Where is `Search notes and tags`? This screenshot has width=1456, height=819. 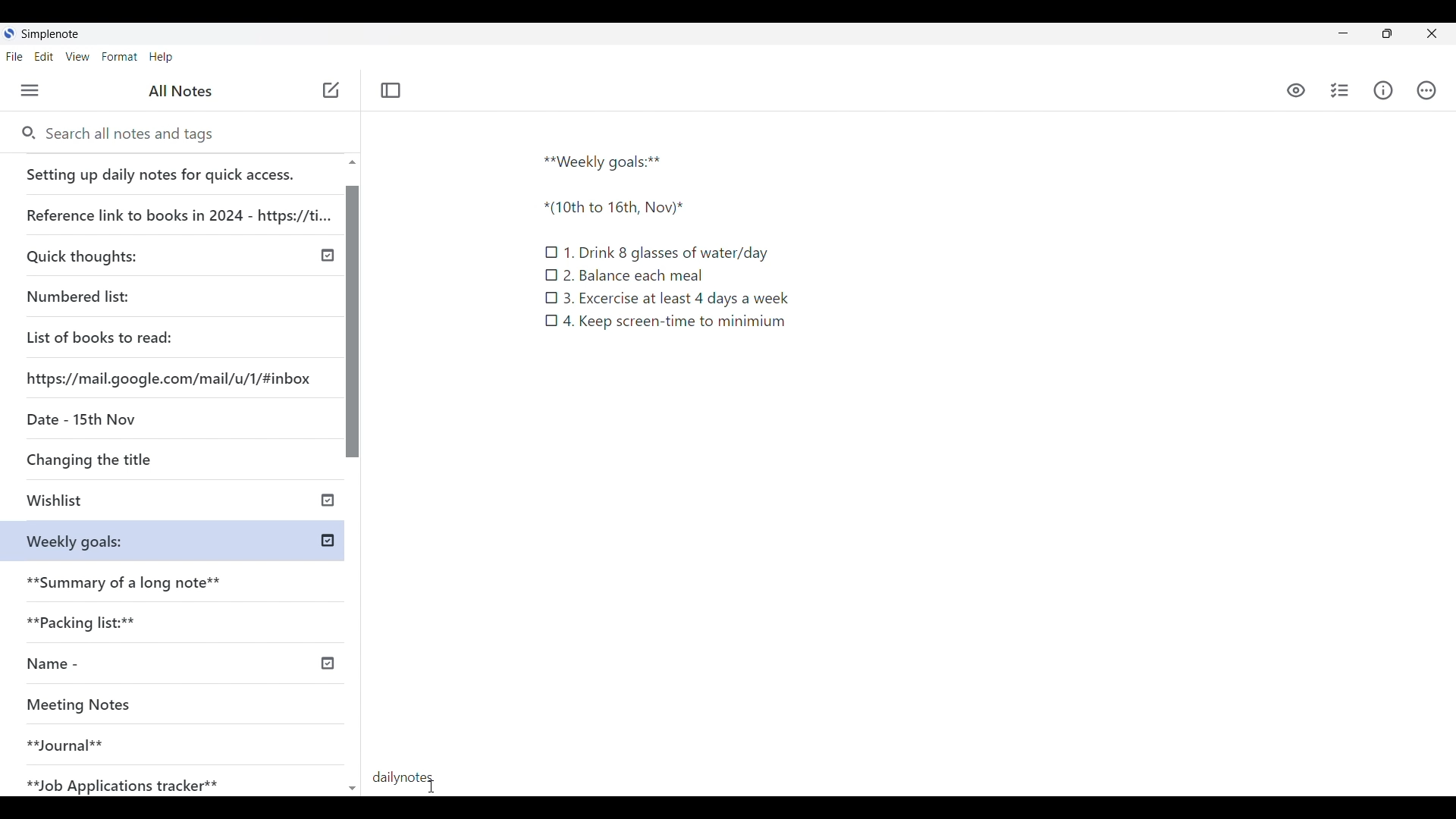 Search notes and tags is located at coordinates (136, 134).